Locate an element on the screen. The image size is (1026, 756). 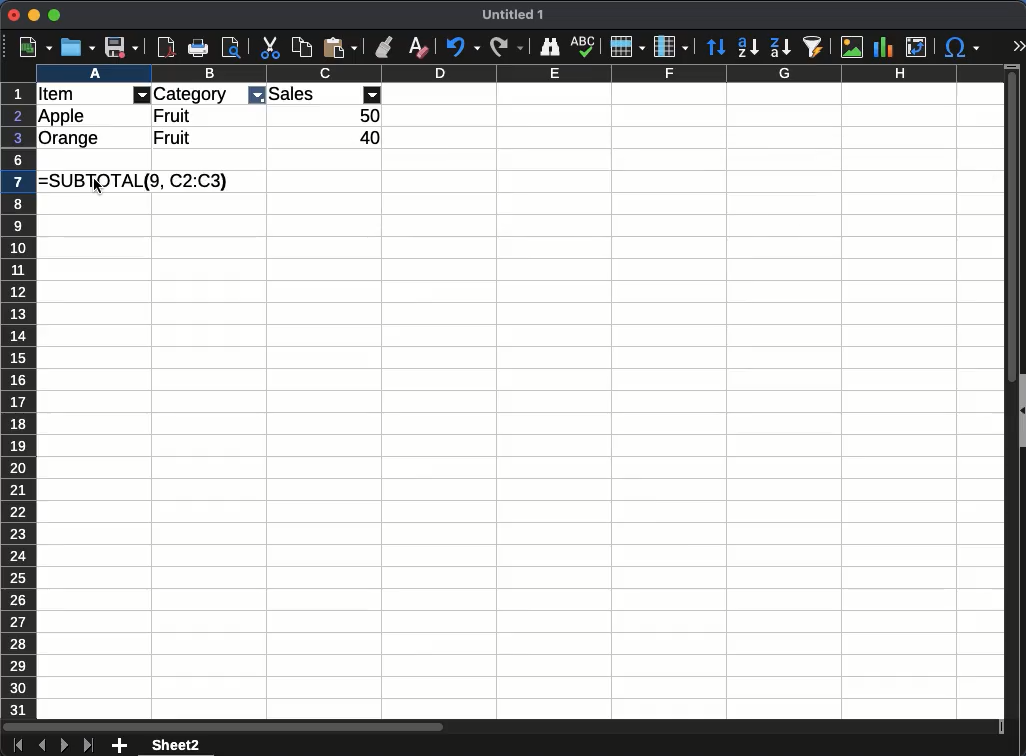
Untitled 1 - name is located at coordinates (513, 15).